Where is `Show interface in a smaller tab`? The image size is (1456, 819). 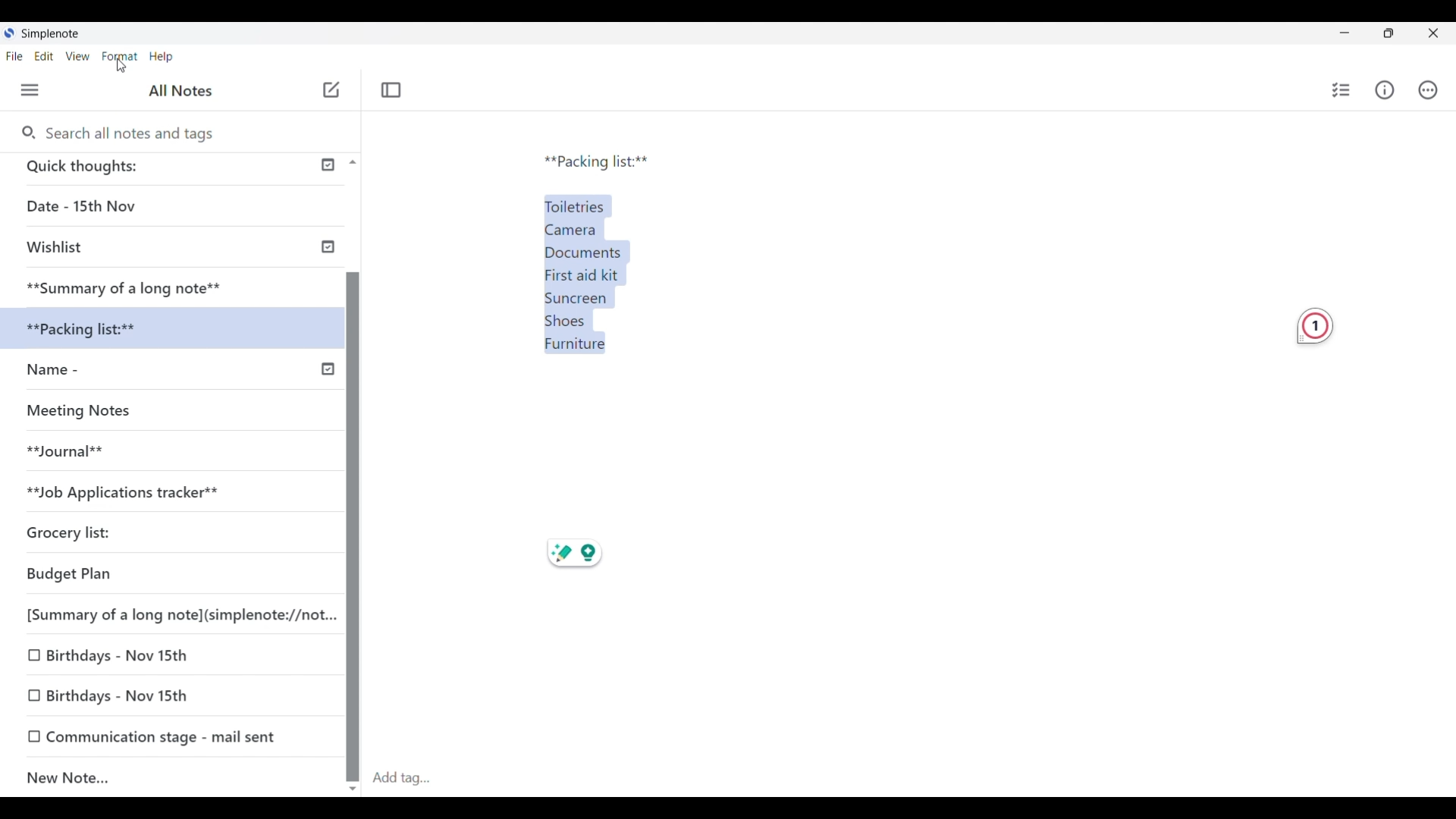 Show interface in a smaller tab is located at coordinates (1389, 33).